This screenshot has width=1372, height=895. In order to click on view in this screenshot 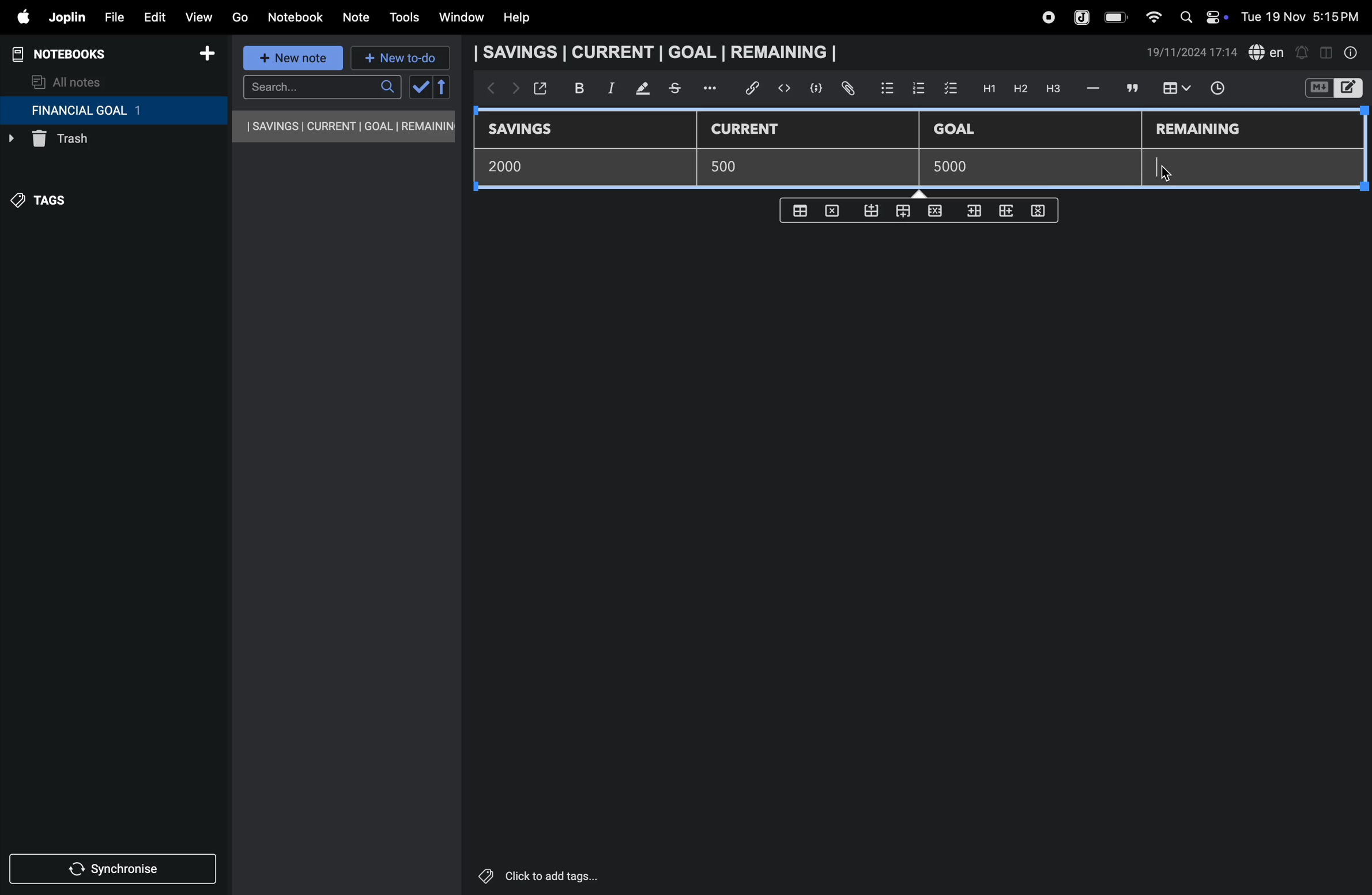, I will do `click(198, 14)`.